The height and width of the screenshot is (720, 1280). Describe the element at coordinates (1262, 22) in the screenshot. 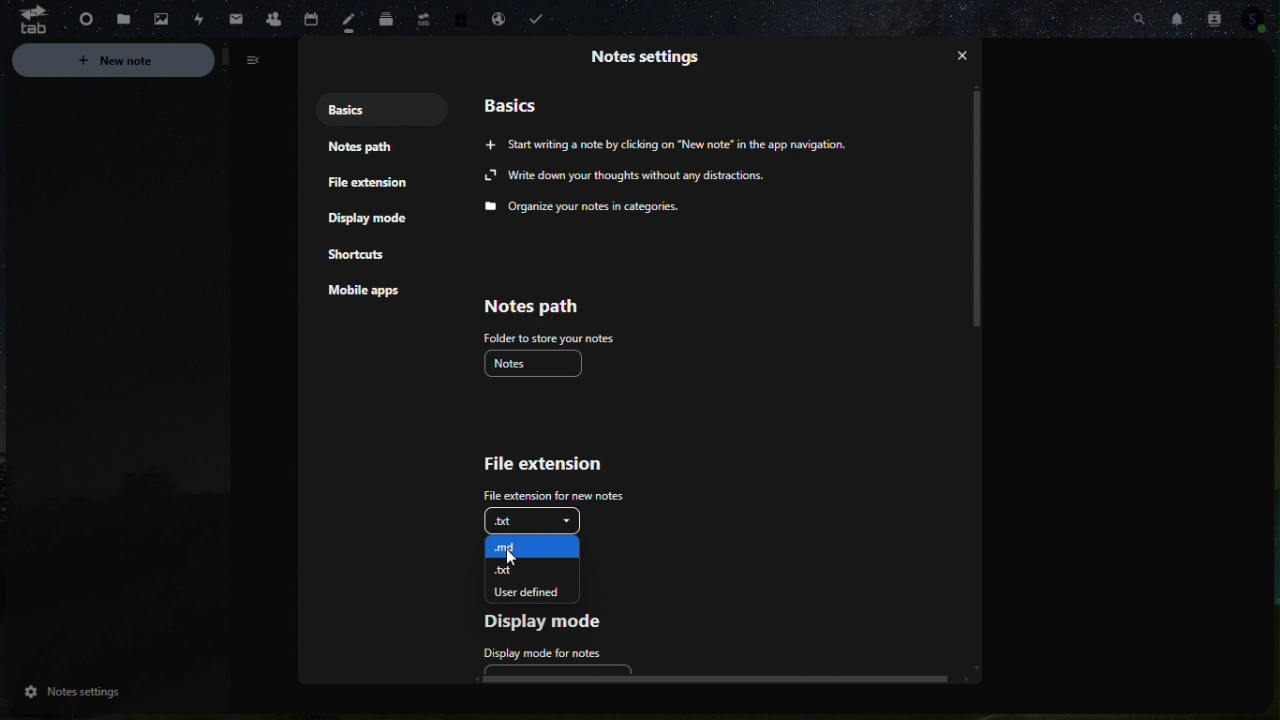

I see `Profile` at that location.